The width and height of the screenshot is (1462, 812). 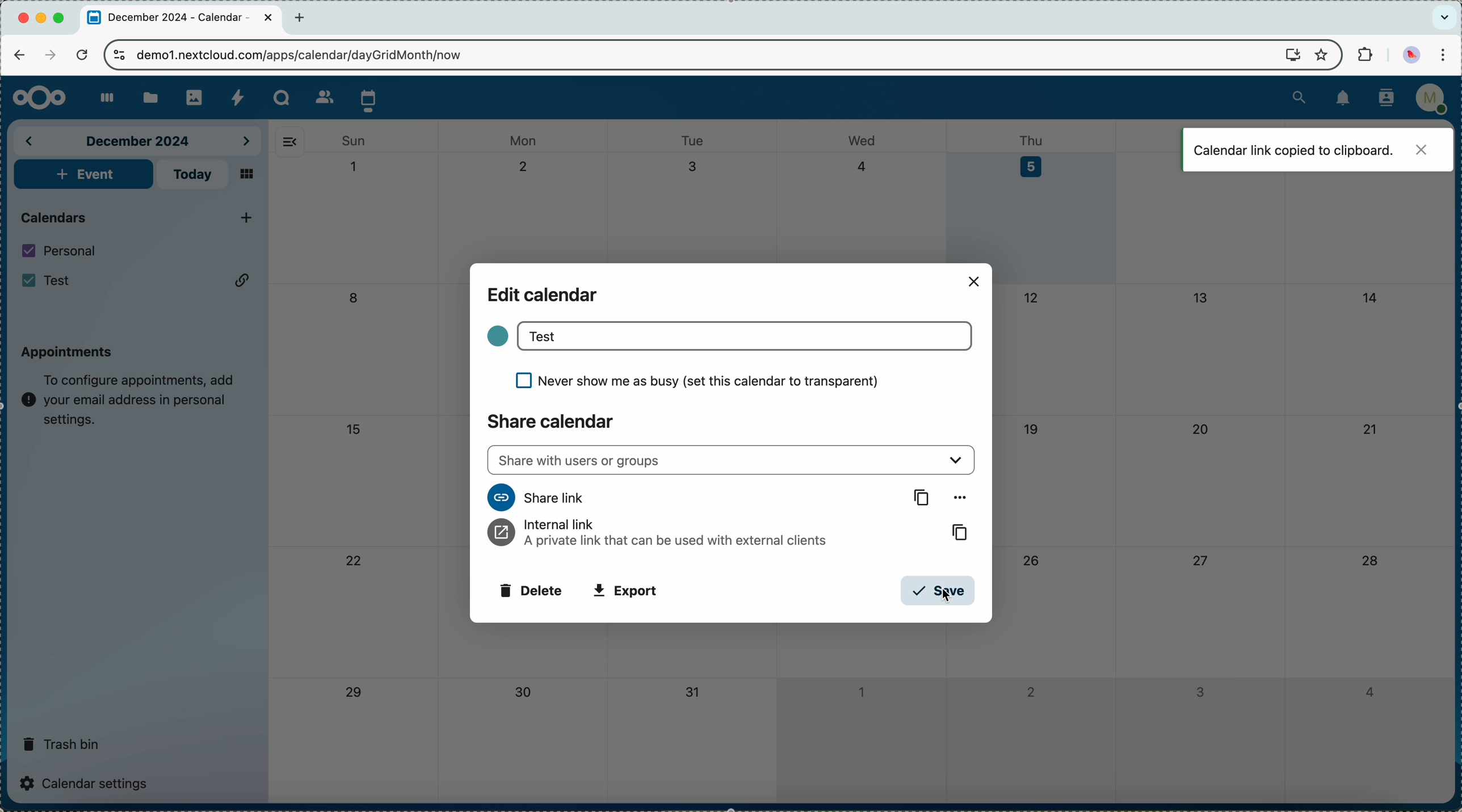 What do you see at coordinates (303, 18) in the screenshot?
I see `new tab` at bounding box center [303, 18].